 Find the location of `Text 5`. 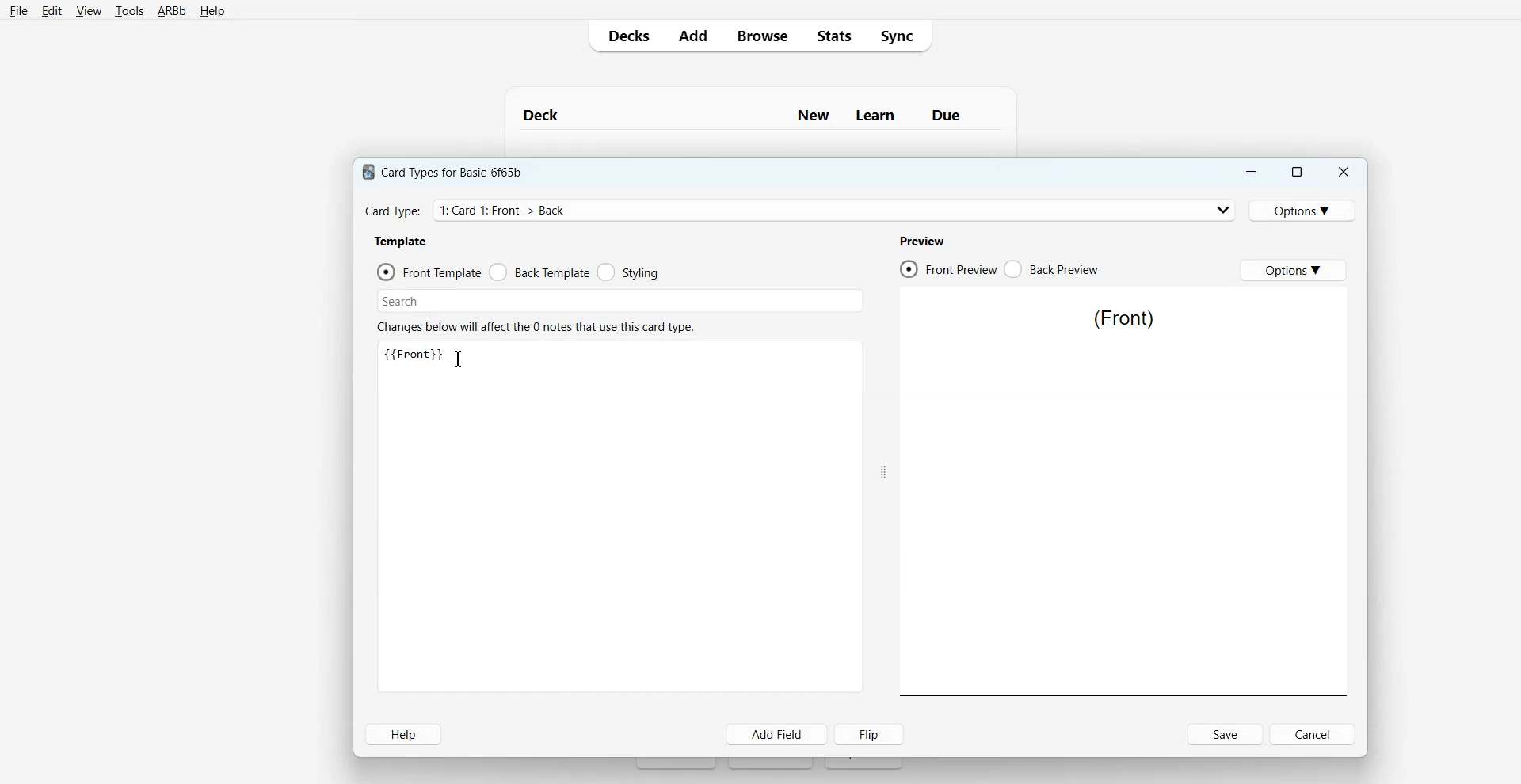

Text 5 is located at coordinates (1127, 317).